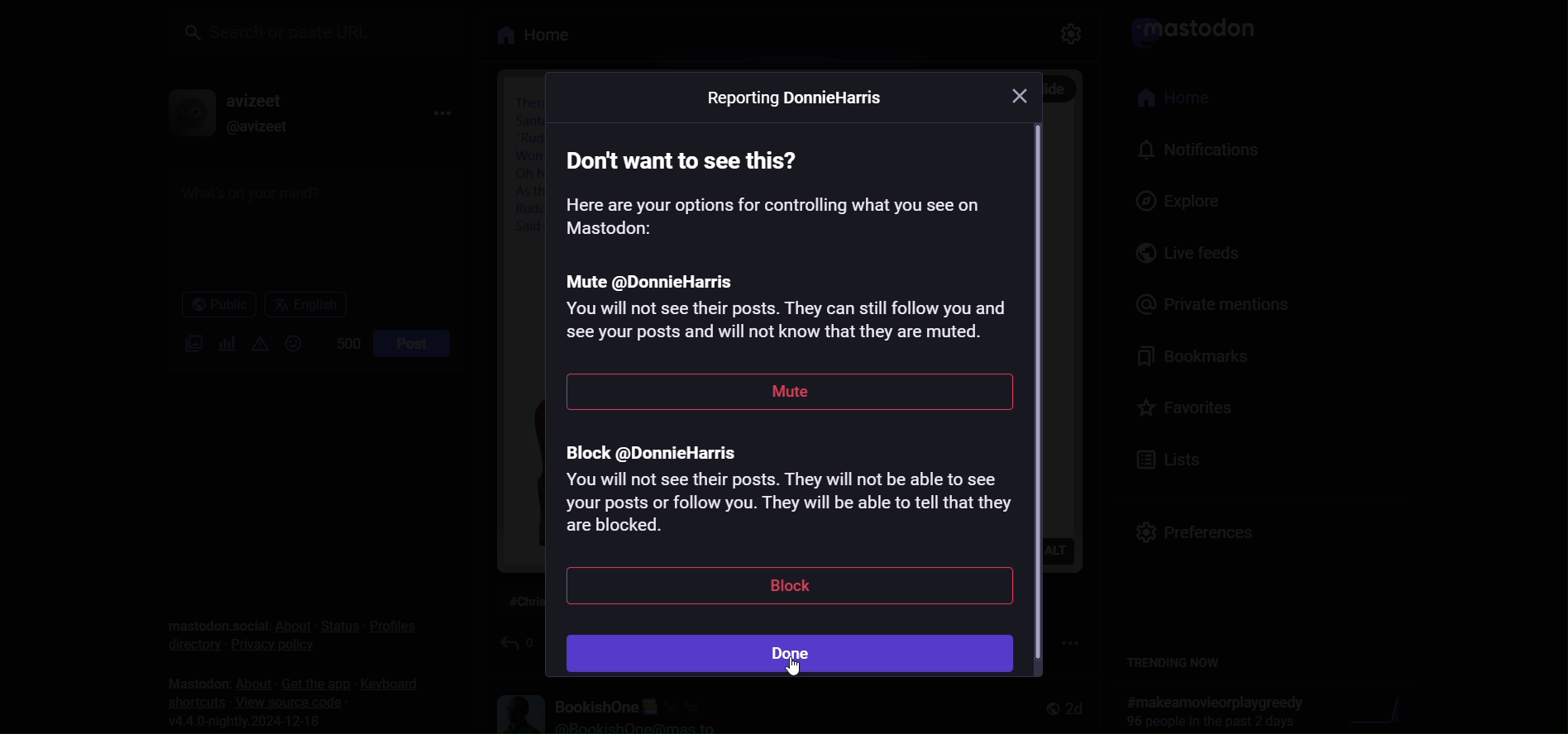 This screenshot has width=1568, height=734. Describe the element at coordinates (1210, 711) in the screenshot. I see `#makeamovieorplaygreedy
Ply,` at that location.